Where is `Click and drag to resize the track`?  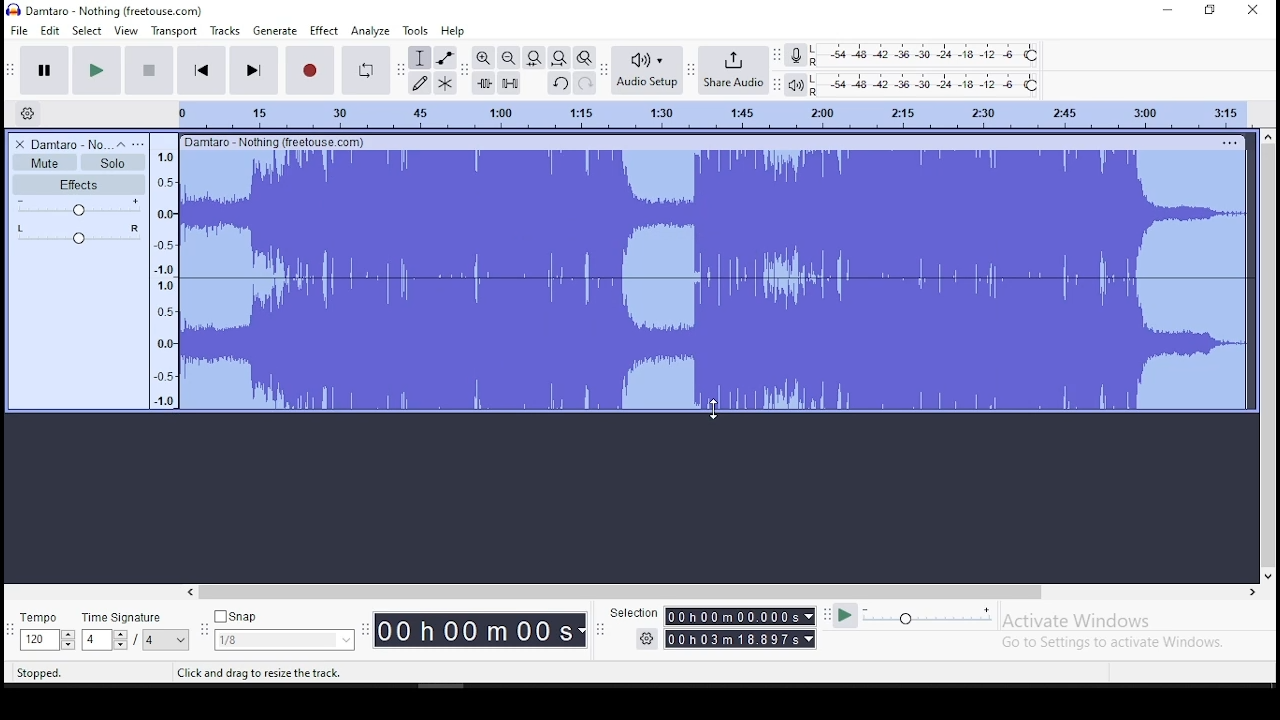
Click and drag to resize the track is located at coordinates (259, 673).